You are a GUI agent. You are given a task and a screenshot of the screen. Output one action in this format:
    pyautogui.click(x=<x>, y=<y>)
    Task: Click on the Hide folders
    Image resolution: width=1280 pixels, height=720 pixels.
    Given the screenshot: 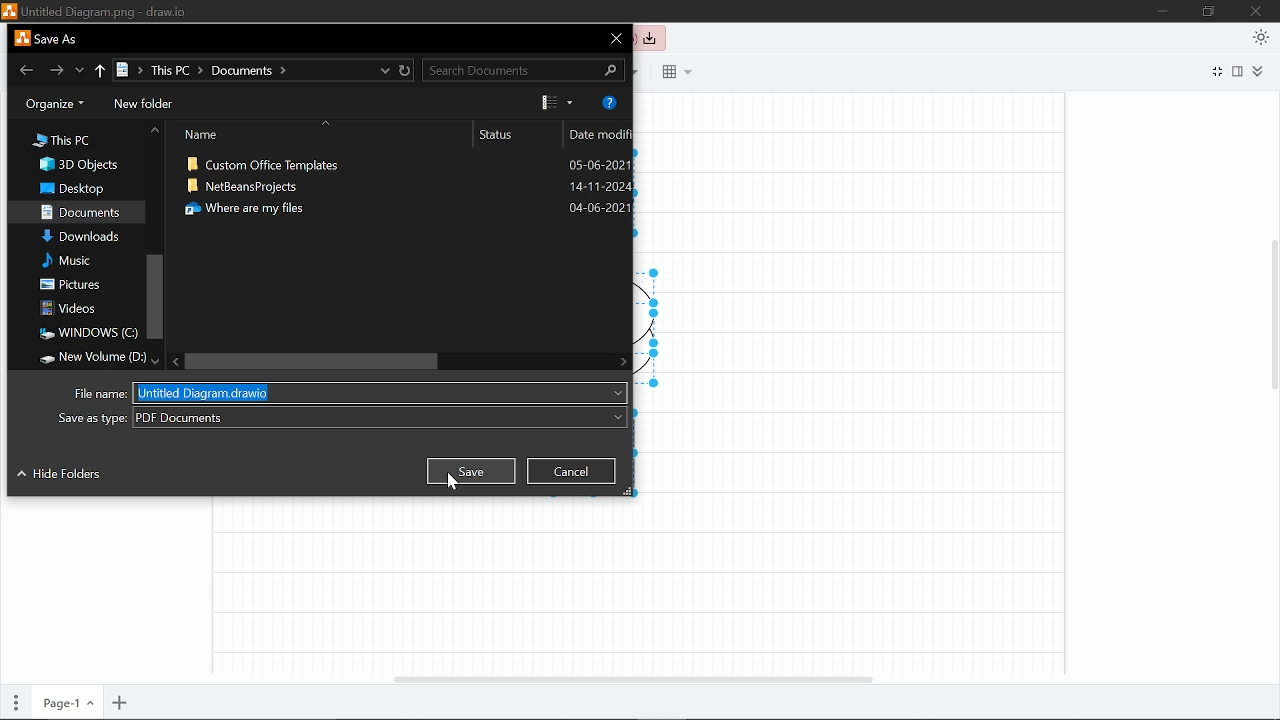 What is the action you would take?
    pyautogui.click(x=58, y=477)
    